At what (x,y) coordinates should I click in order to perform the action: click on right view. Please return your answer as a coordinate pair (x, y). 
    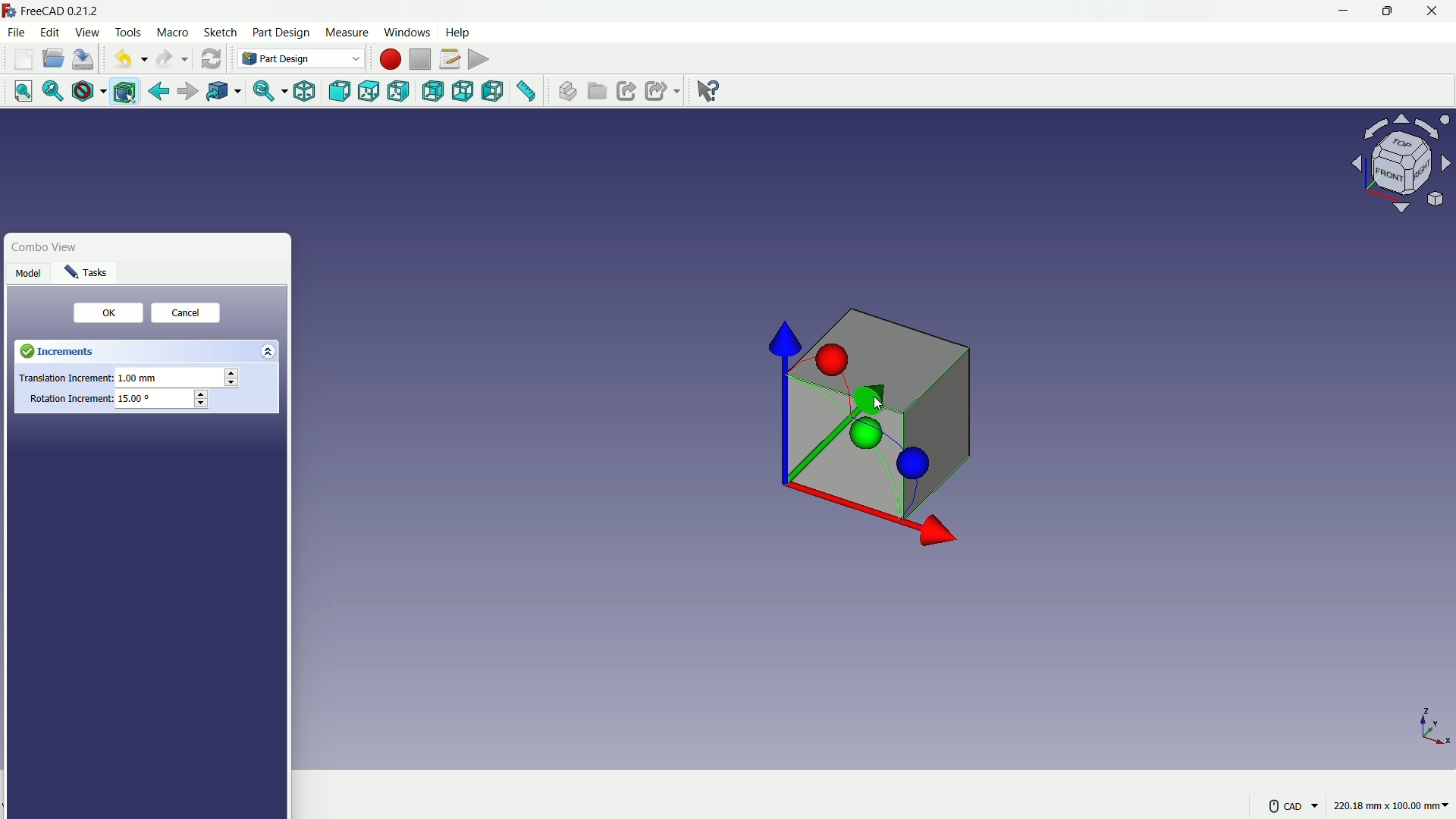
    Looking at the image, I should click on (400, 94).